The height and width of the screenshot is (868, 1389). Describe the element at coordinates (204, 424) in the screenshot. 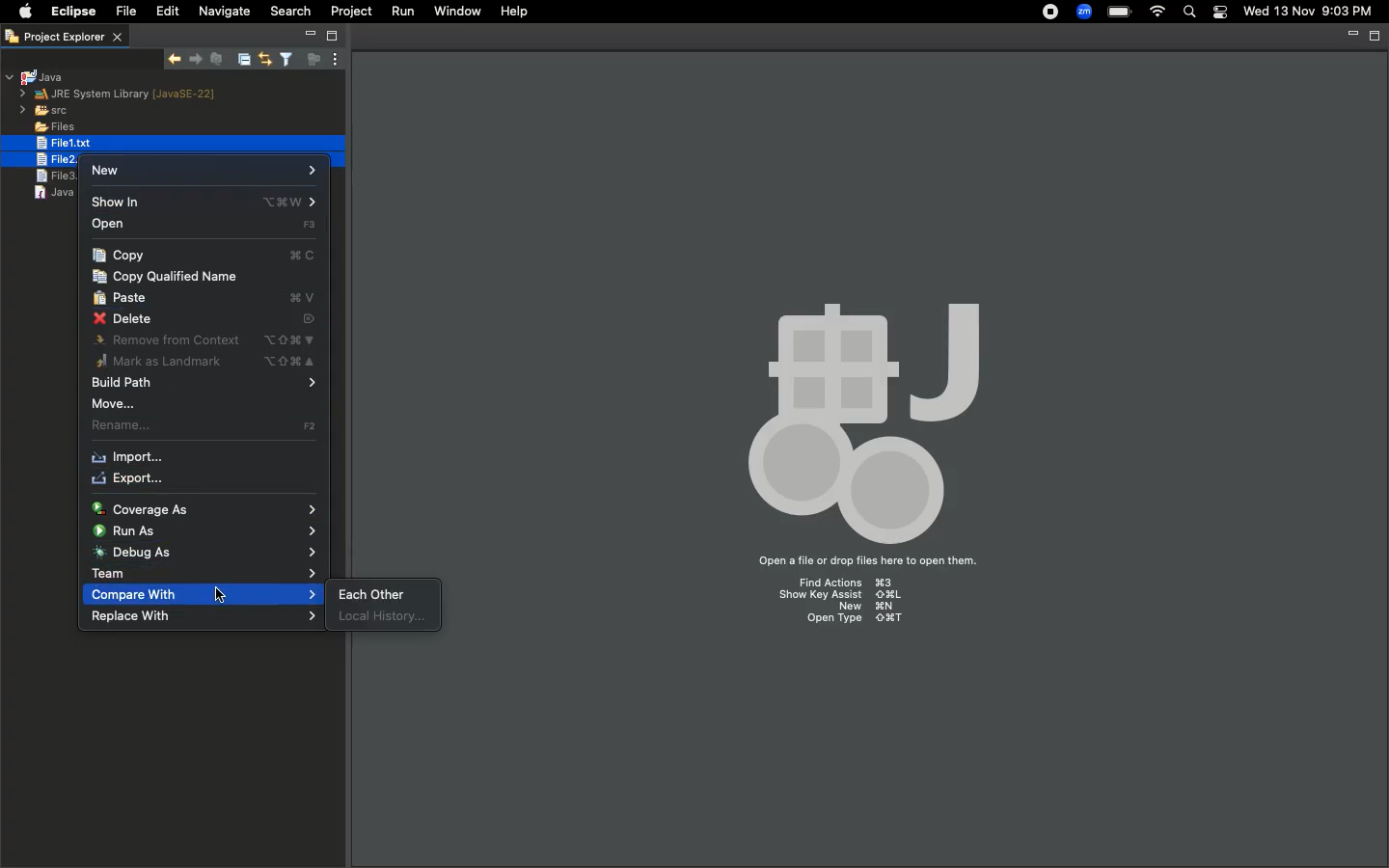

I see `Rename` at that location.